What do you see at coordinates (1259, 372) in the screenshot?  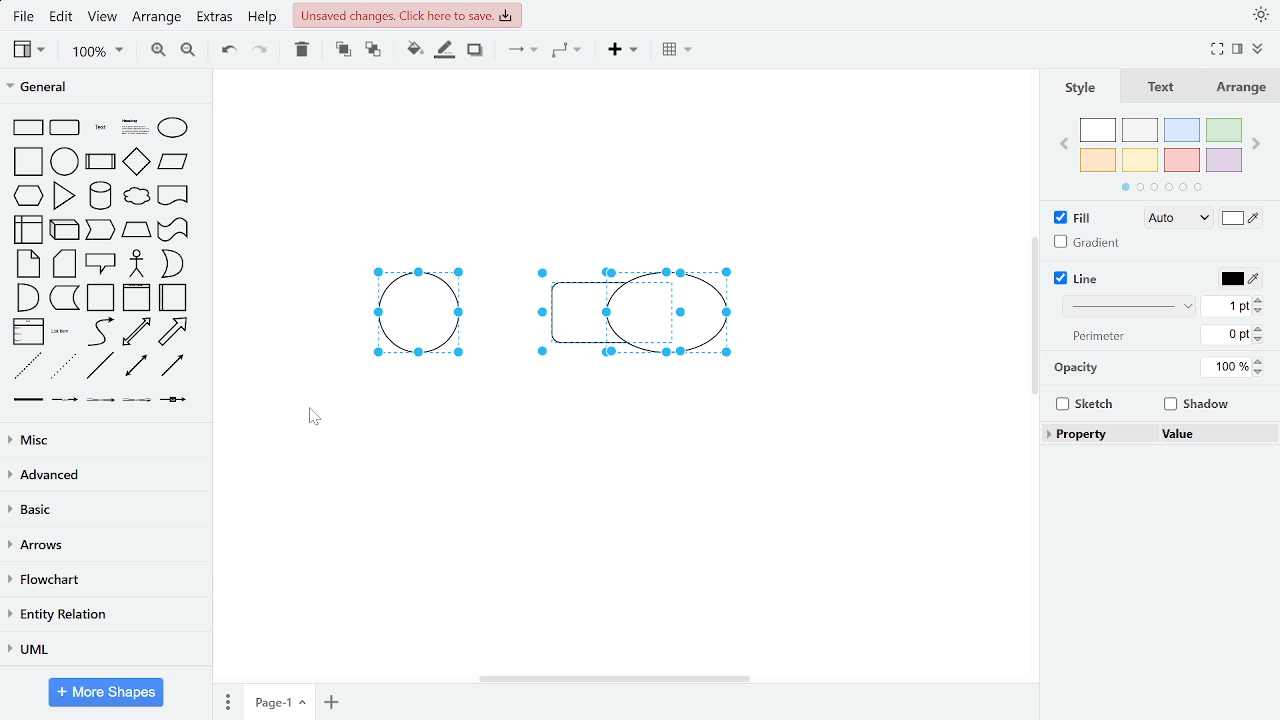 I see `decrease opacity` at bounding box center [1259, 372].